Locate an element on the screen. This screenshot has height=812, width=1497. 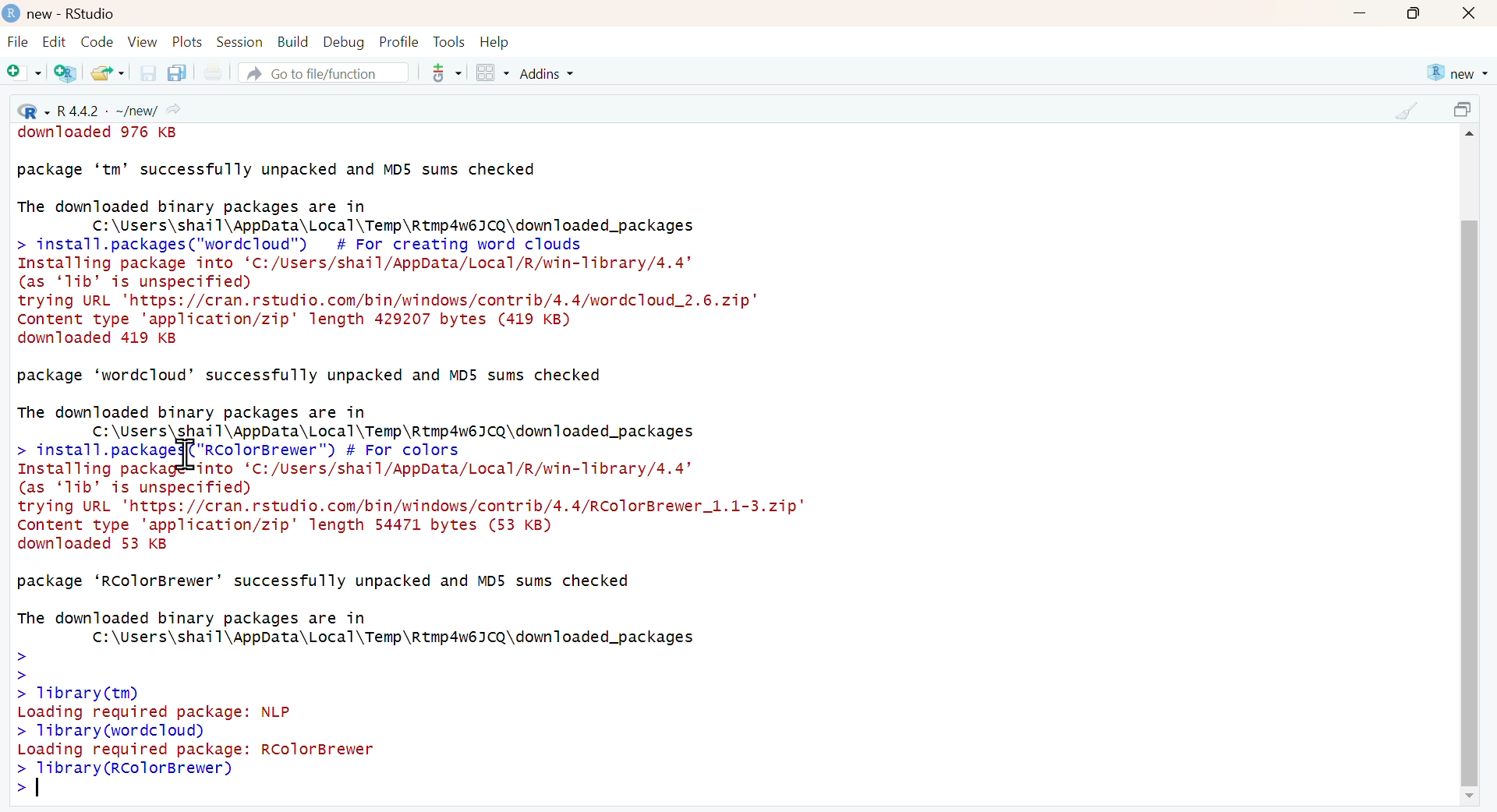
The downloaded binary packages are in
C:\Users\shail\AppData\Local\Temp\Rtmp4w6ICQ\downloaded_packages is located at coordinates (356, 419).